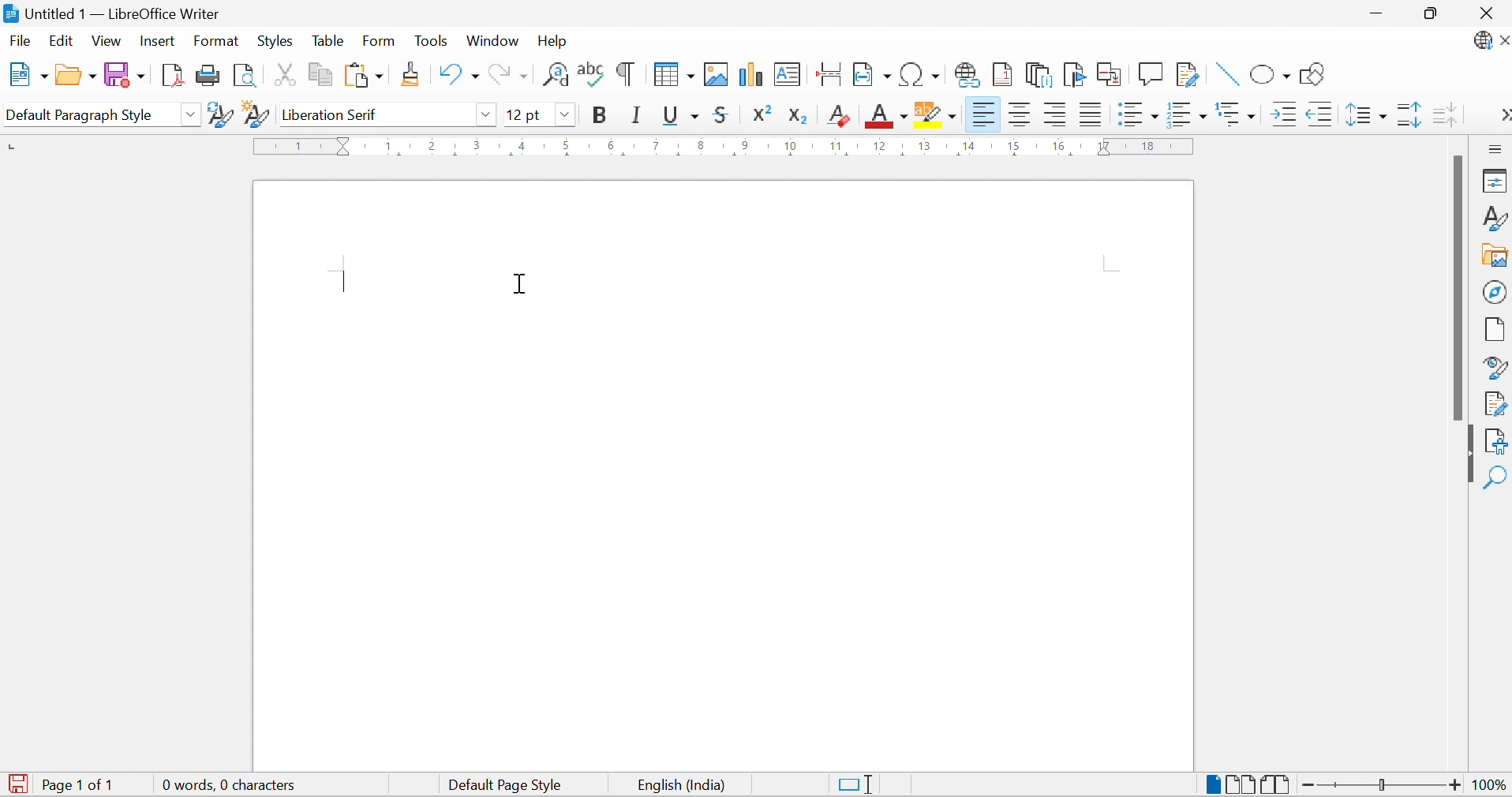 Image resolution: width=1512 pixels, height=797 pixels. I want to click on English (India), so click(678, 786).